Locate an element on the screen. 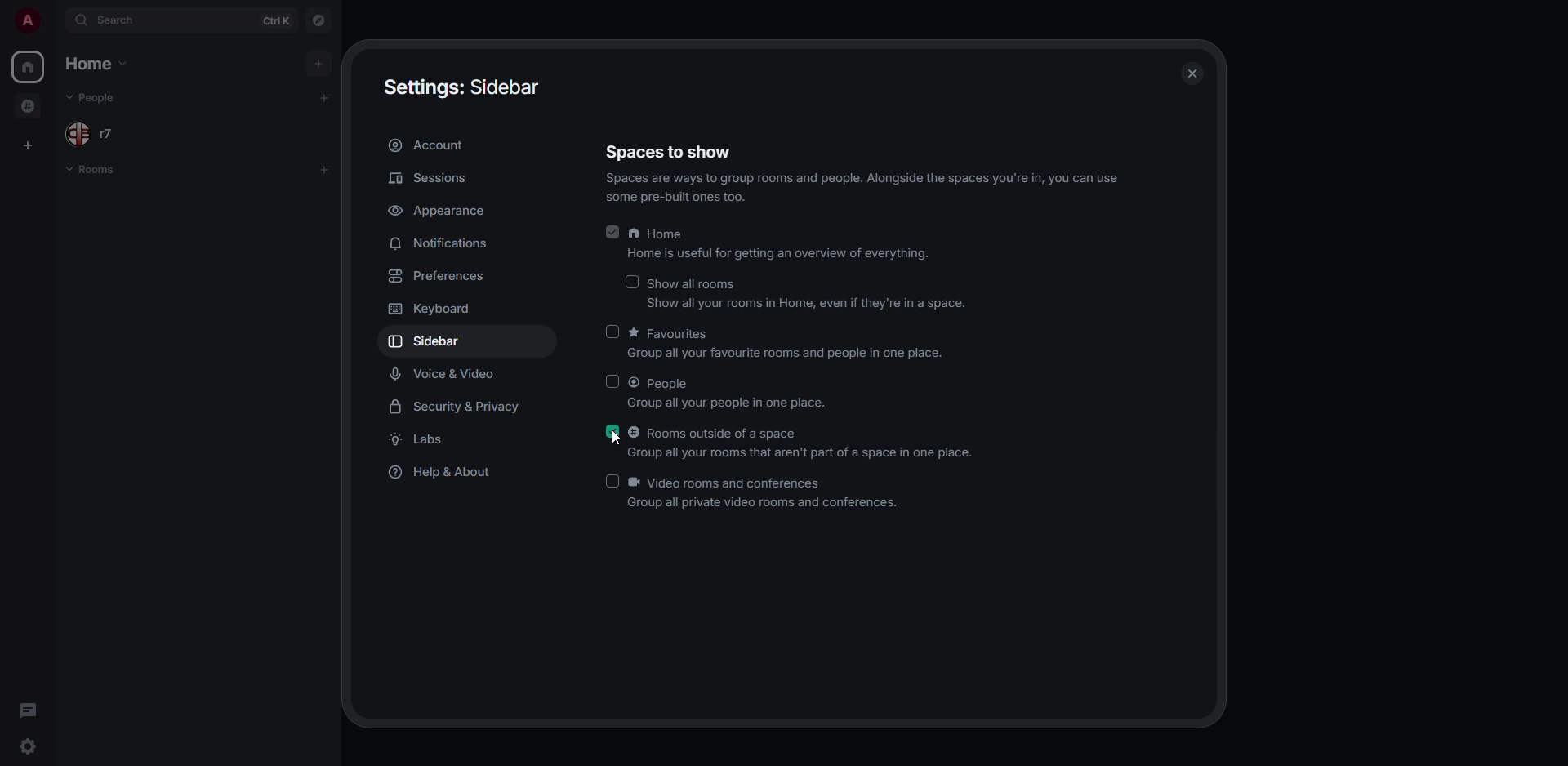 The image size is (1568, 766). cursor is located at coordinates (612, 442).